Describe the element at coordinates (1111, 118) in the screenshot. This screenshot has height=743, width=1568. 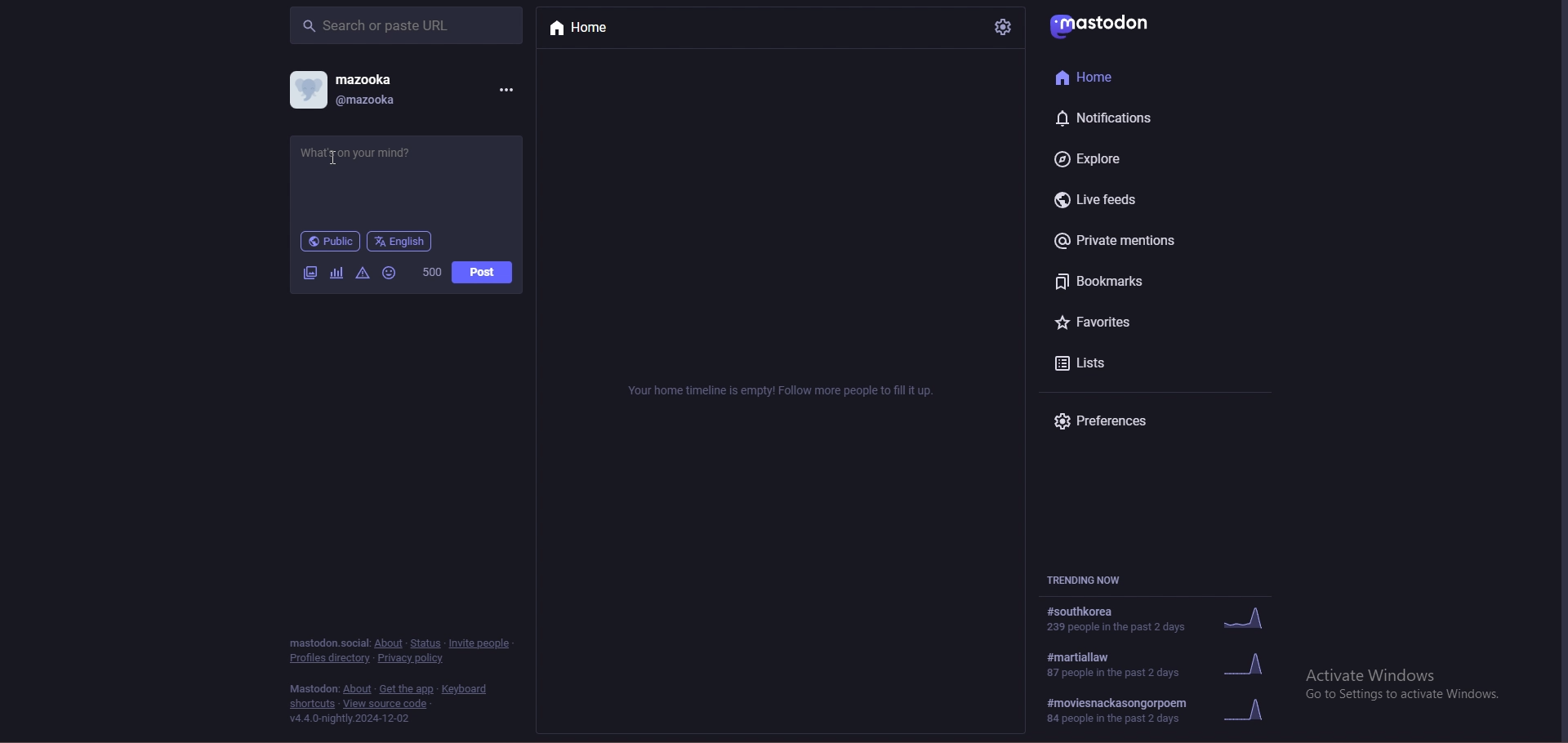
I see `notifications` at that location.